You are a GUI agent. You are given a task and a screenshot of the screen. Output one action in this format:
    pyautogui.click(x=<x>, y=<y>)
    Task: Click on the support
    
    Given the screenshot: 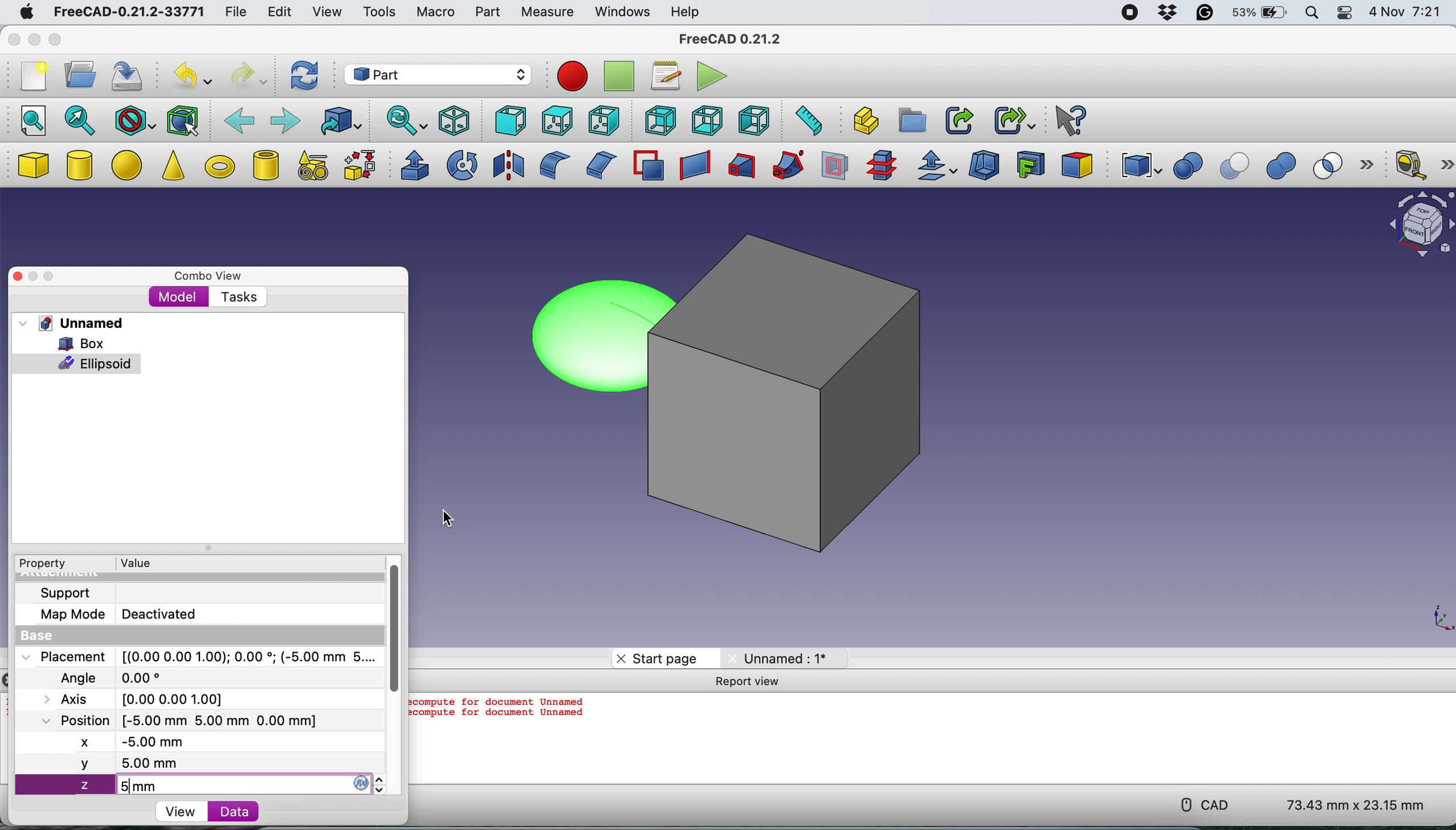 What is the action you would take?
    pyautogui.click(x=63, y=593)
    